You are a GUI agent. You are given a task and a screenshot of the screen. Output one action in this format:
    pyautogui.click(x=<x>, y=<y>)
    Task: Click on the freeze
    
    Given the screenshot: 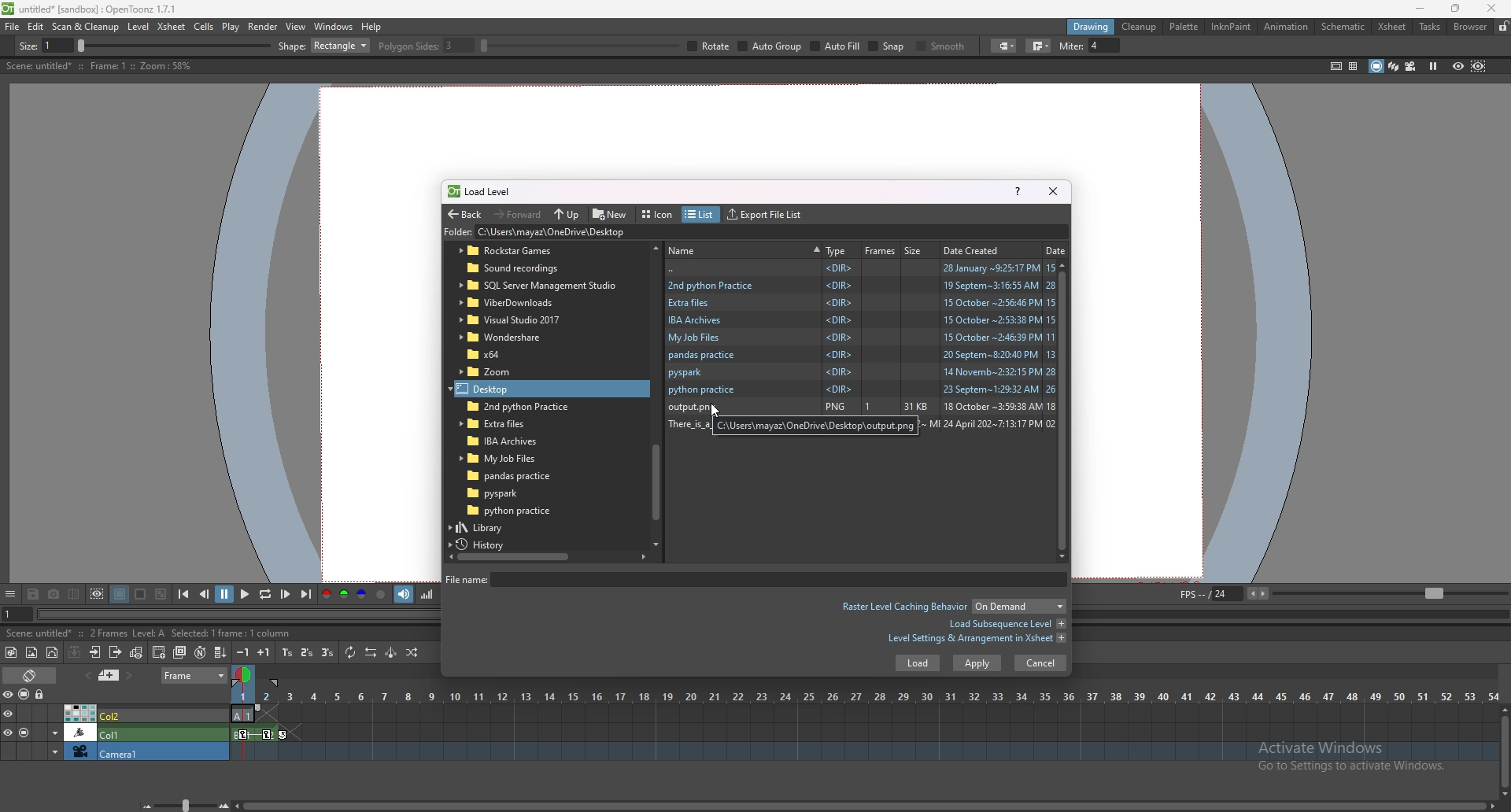 What is the action you would take?
    pyautogui.click(x=1433, y=65)
    